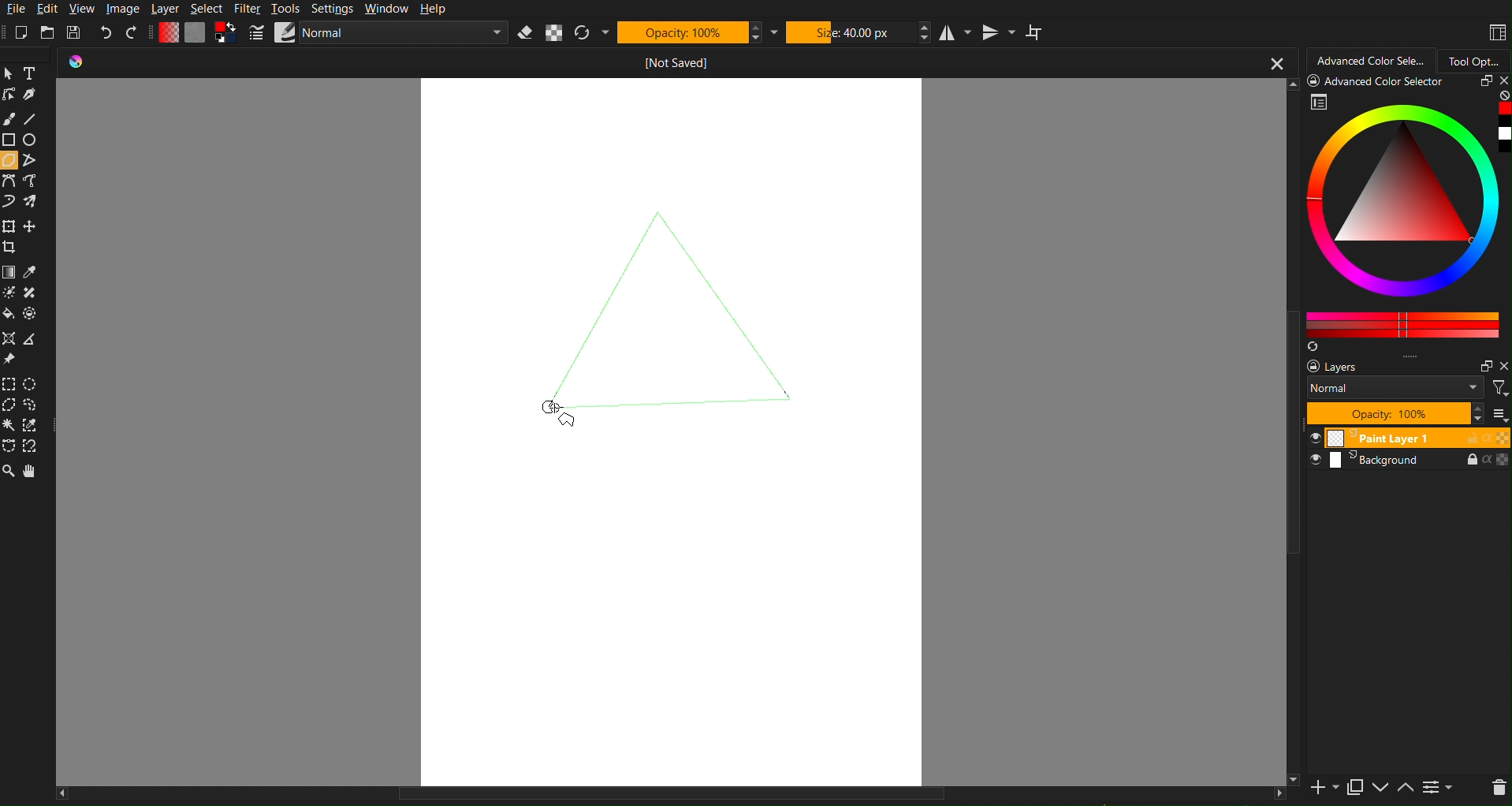 Image resolution: width=1512 pixels, height=806 pixels. Describe the element at coordinates (32, 424) in the screenshot. I see `similar color selection tool` at that location.